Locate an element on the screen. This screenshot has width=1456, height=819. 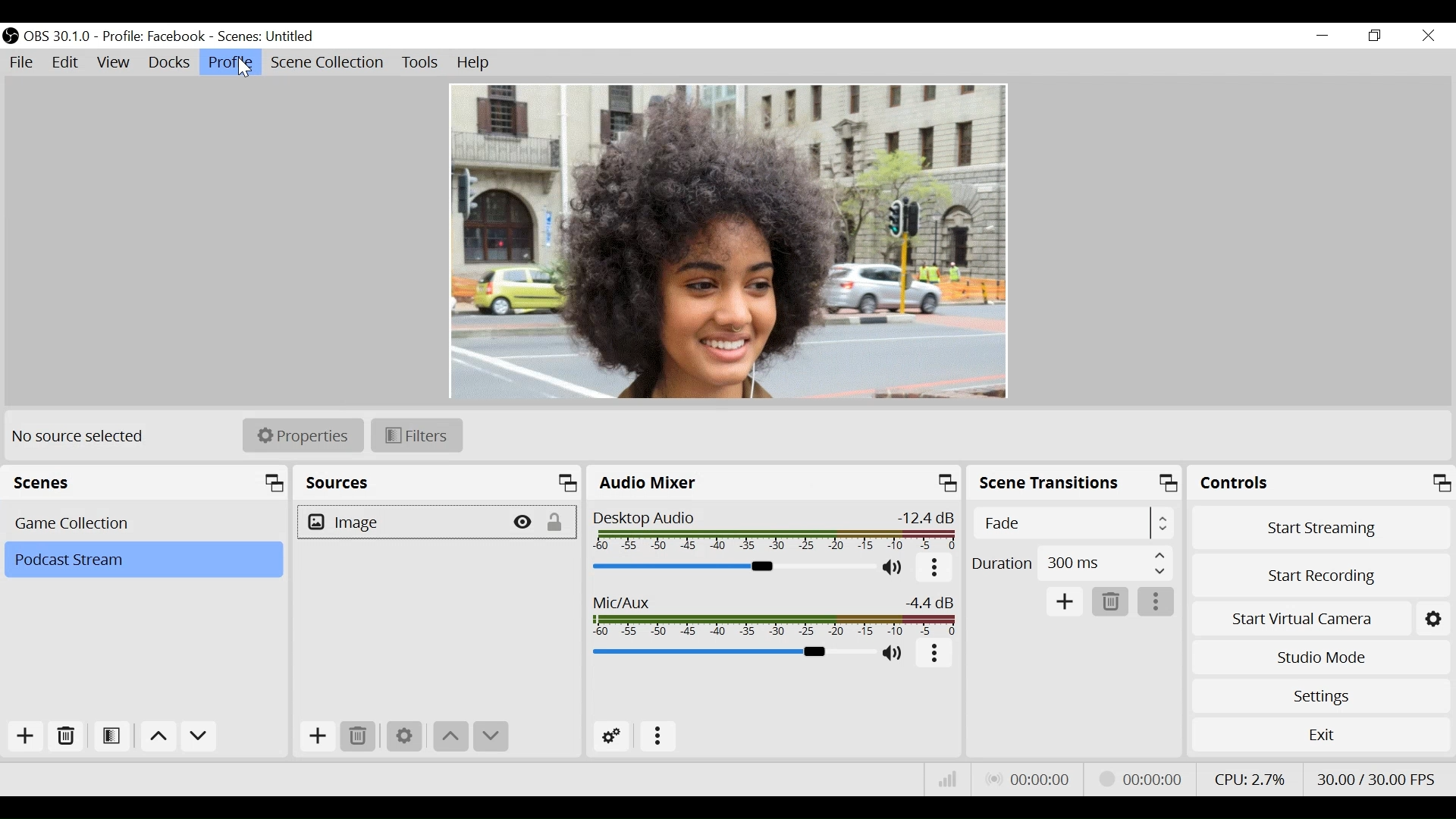
Start Streaming is located at coordinates (1323, 528).